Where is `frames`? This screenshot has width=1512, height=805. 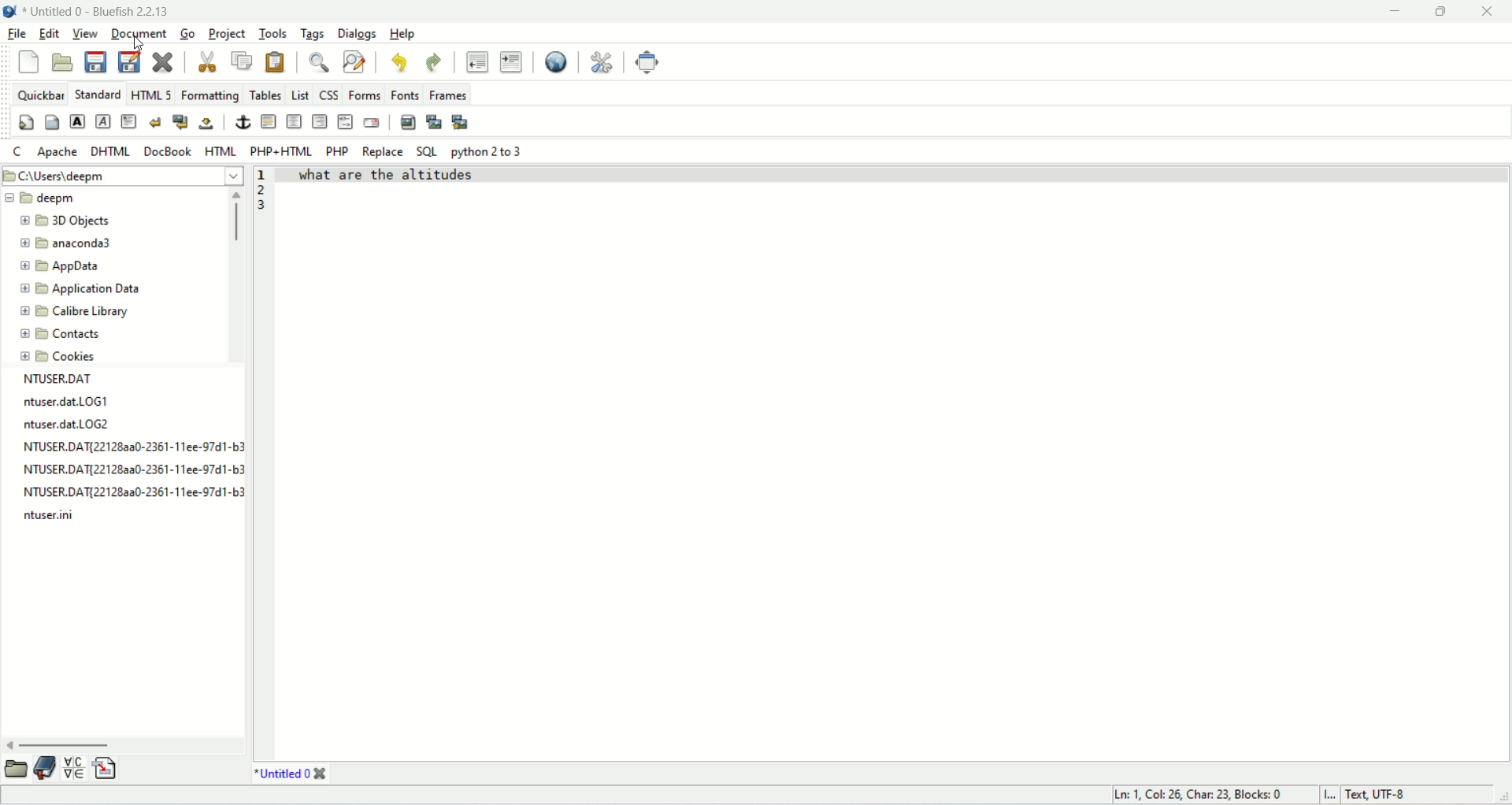
frames is located at coordinates (447, 92).